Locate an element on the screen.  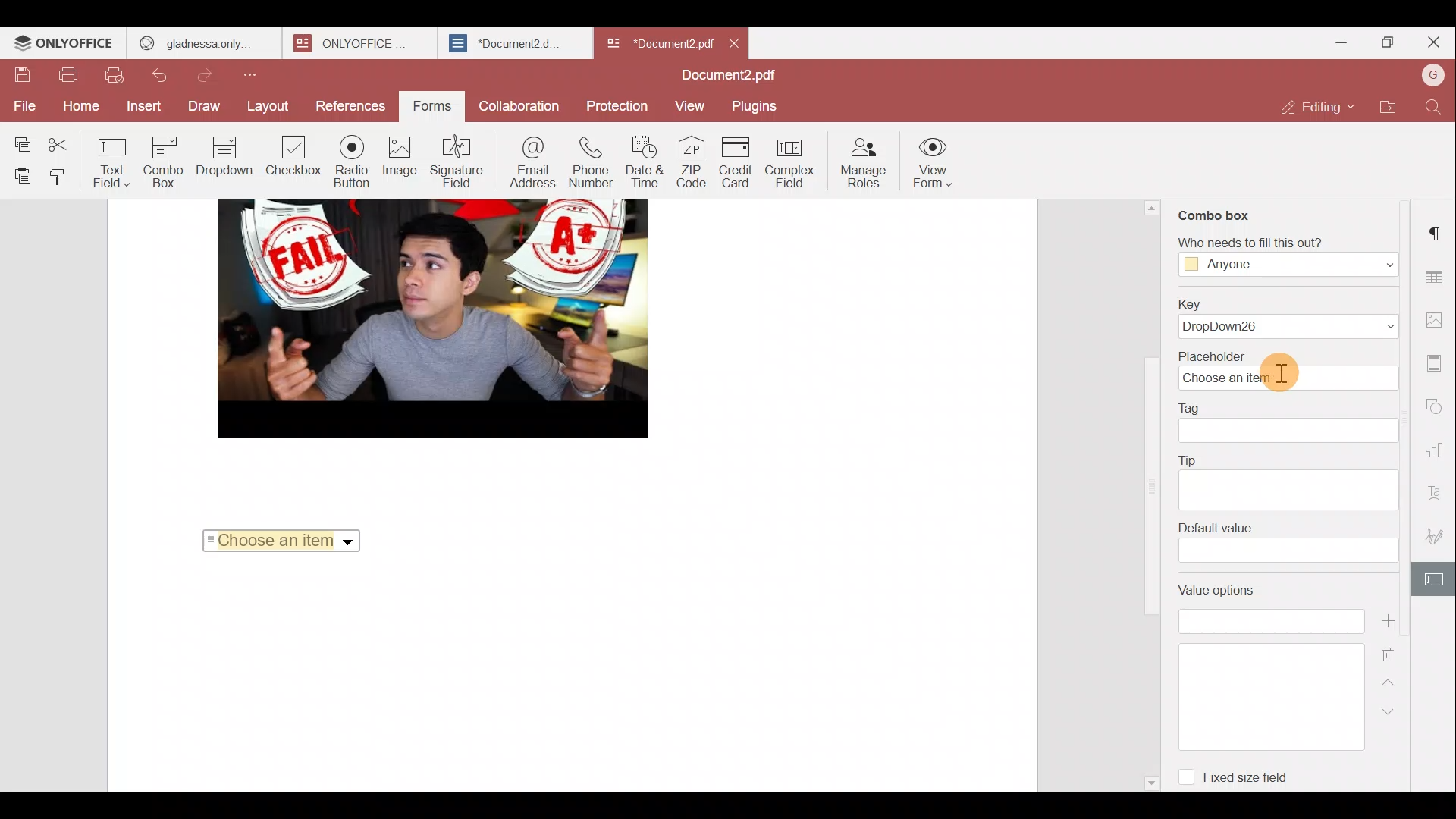
View form is located at coordinates (934, 159).